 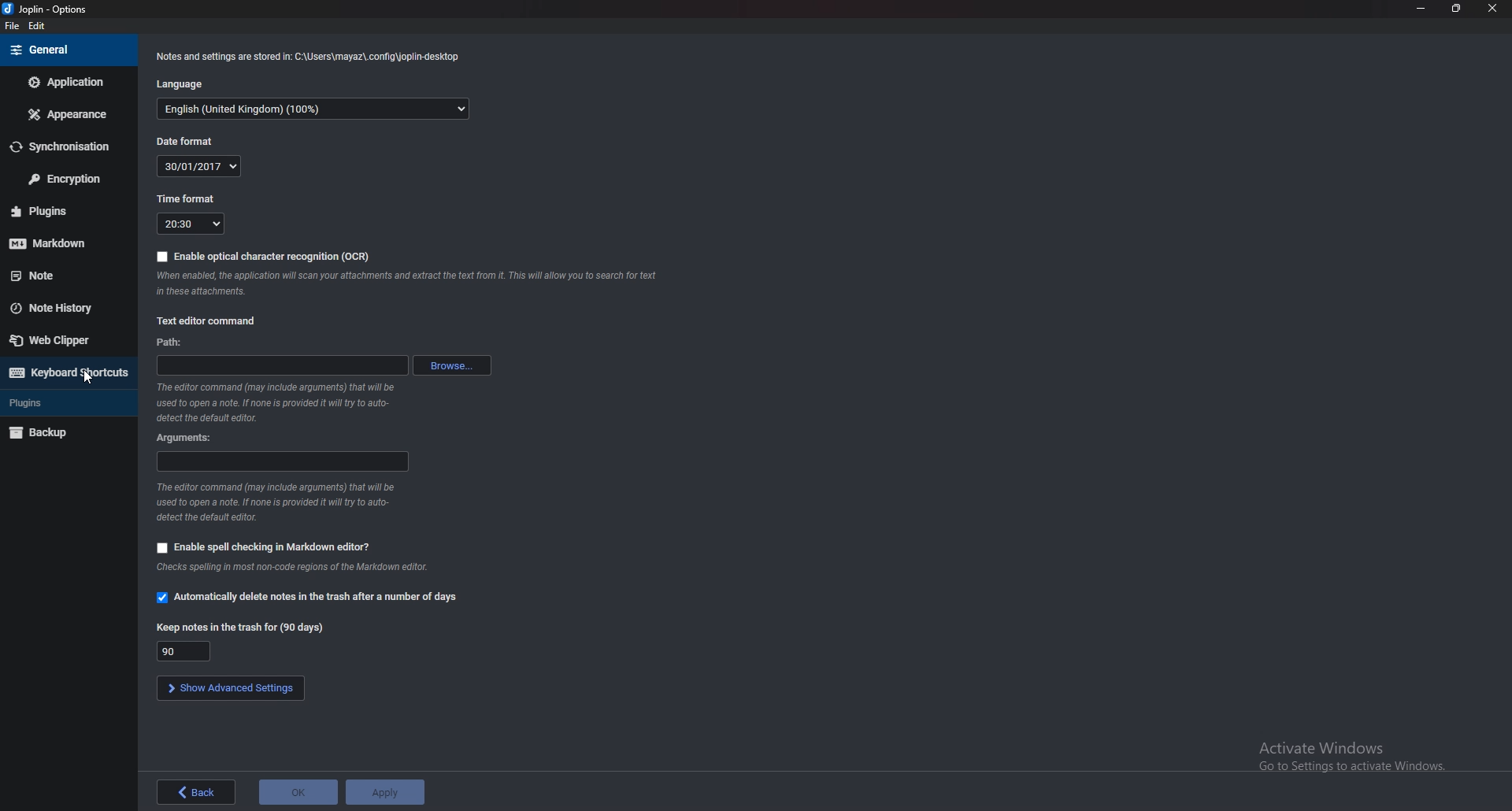 I want to click on Show advanced settings, so click(x=229, y=688).